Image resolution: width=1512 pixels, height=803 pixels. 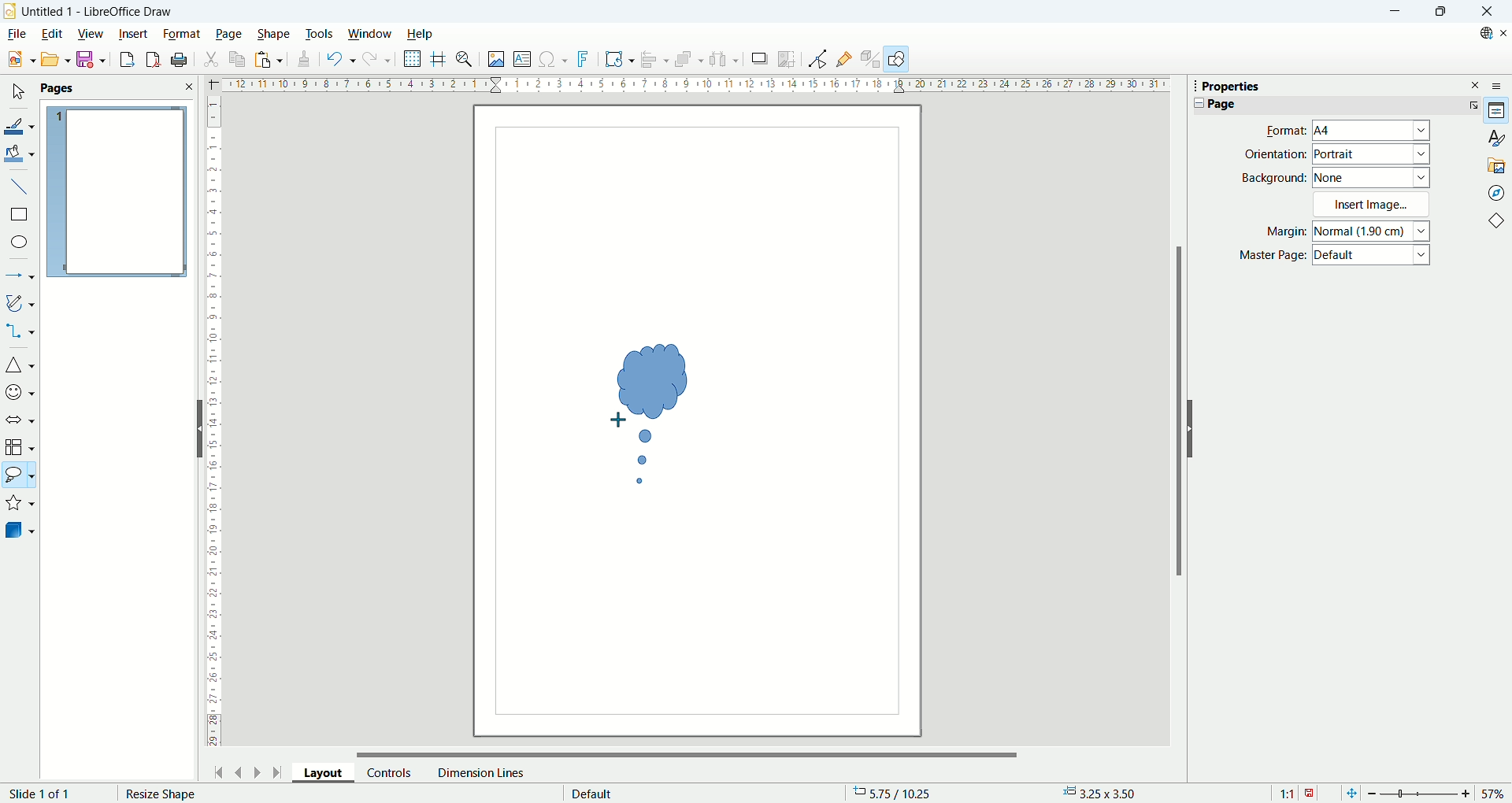 I want to click on callout shapes, so click(x=19, y=477).